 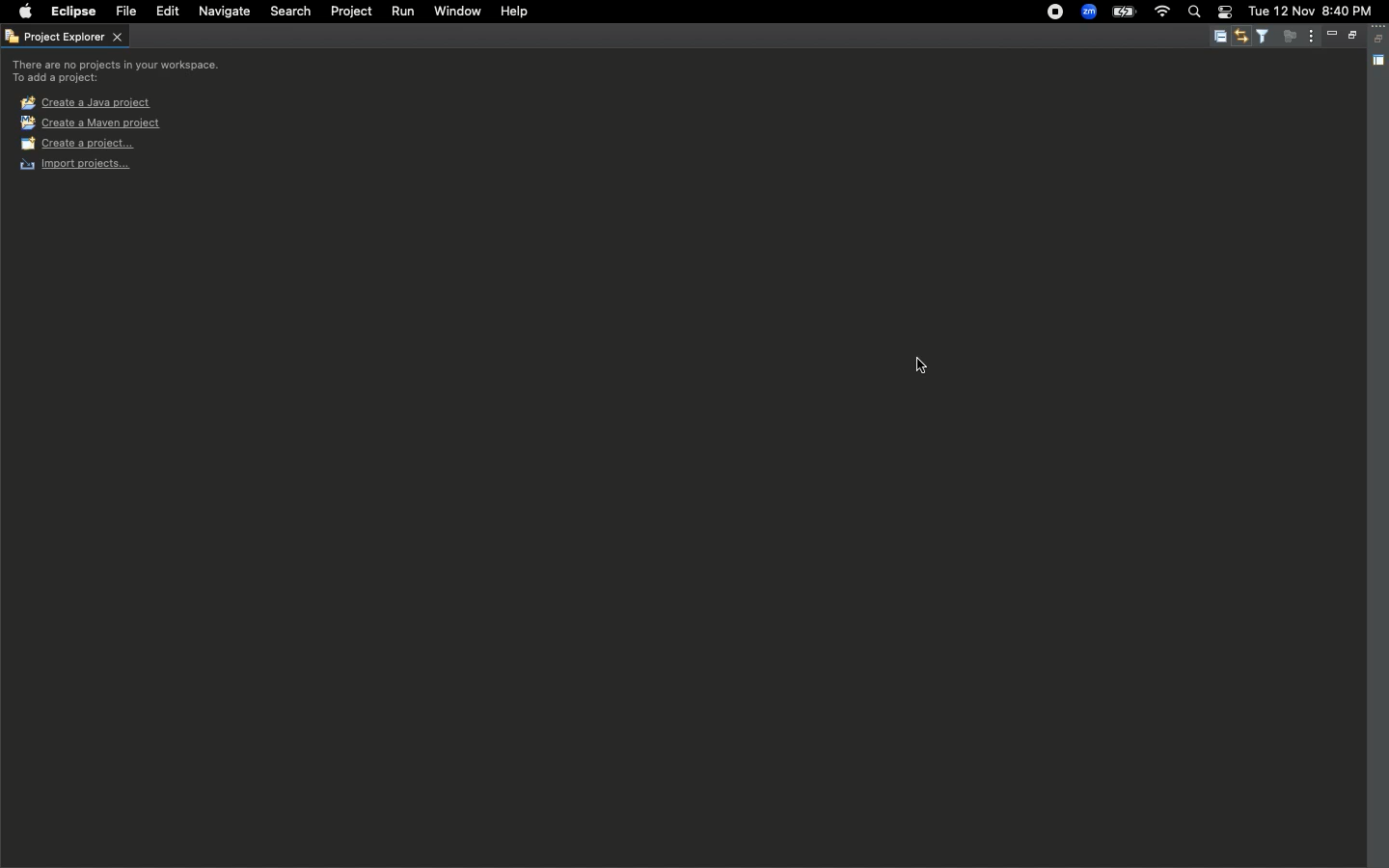 I want to click on Zoom, so click(x=1088, y=12).